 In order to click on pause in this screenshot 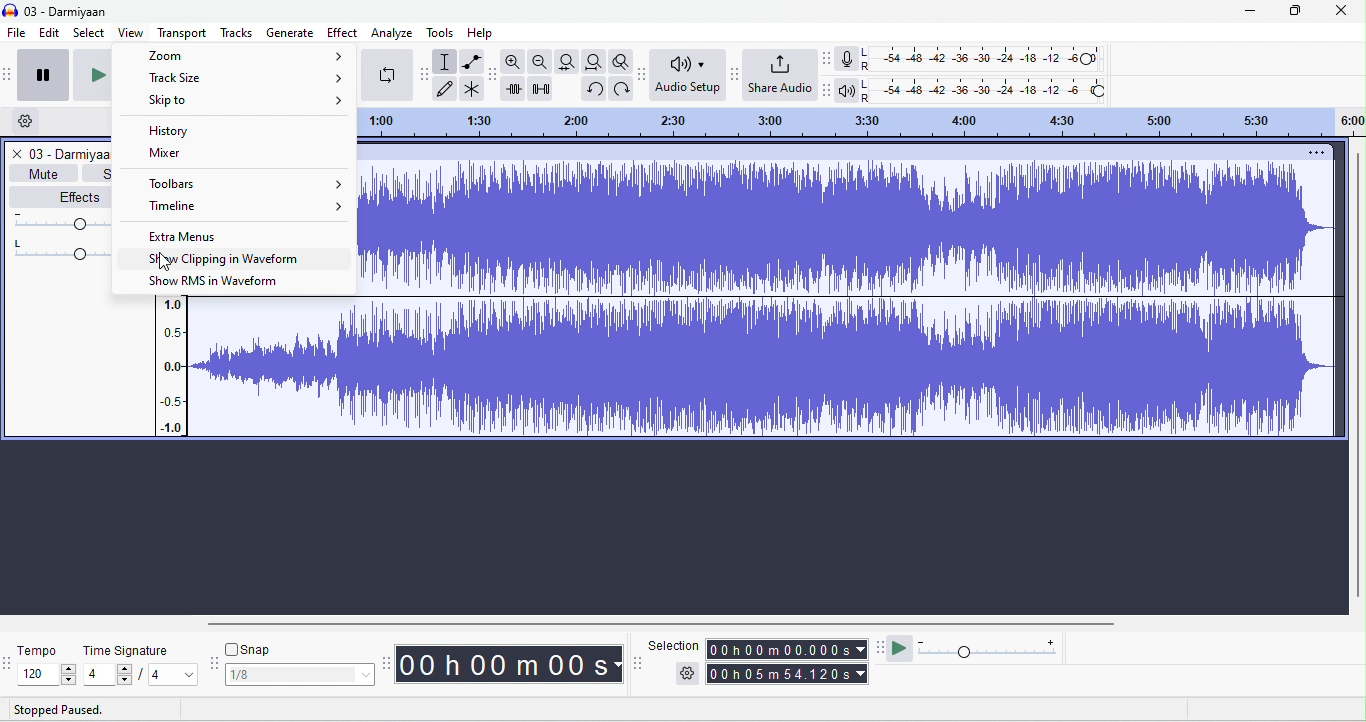, I will do `click(44, 74)`.